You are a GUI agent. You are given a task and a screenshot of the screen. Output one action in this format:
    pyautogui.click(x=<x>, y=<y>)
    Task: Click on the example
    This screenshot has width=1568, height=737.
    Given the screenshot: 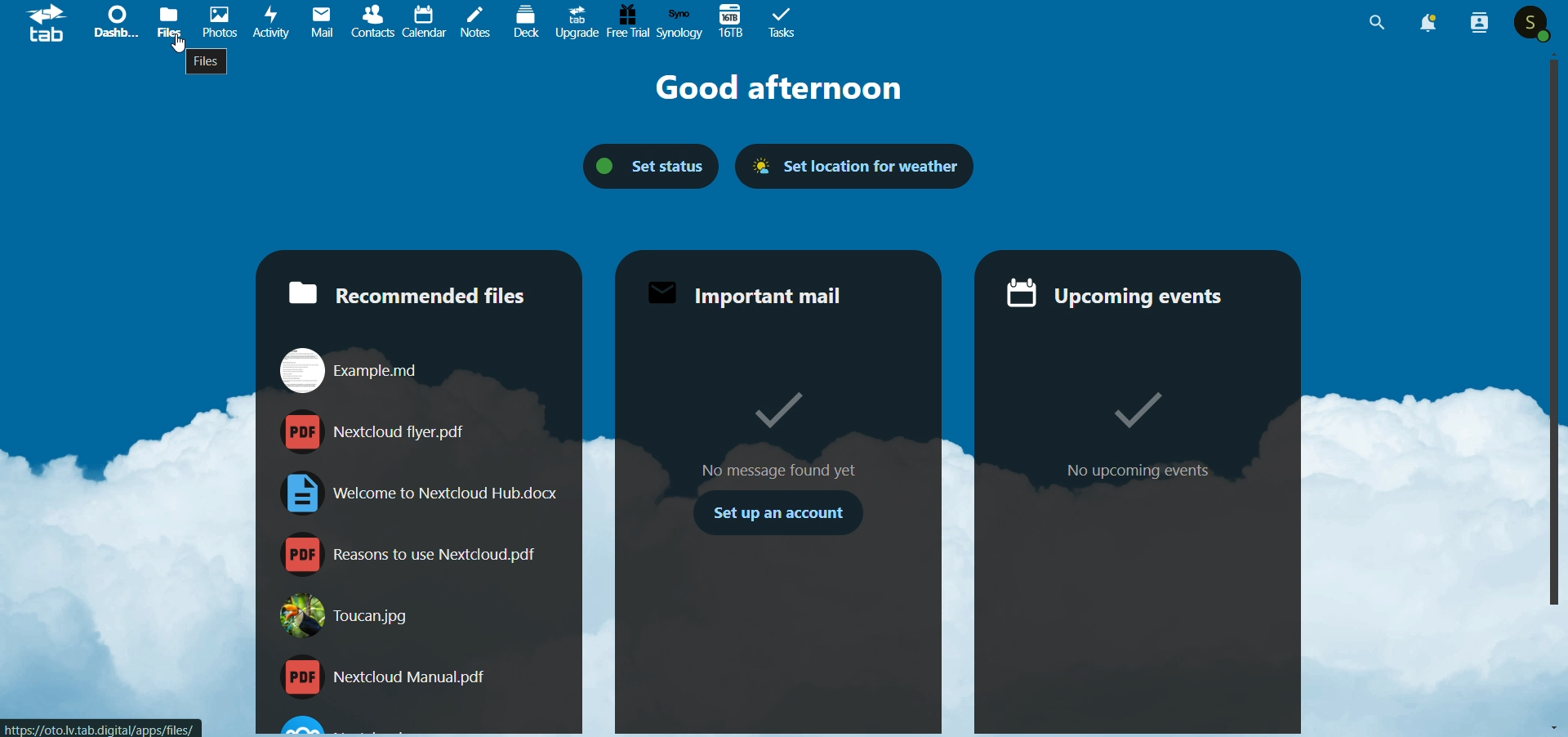 What is the action you would take?
    pyautogui.click(x=359, y=368)
    